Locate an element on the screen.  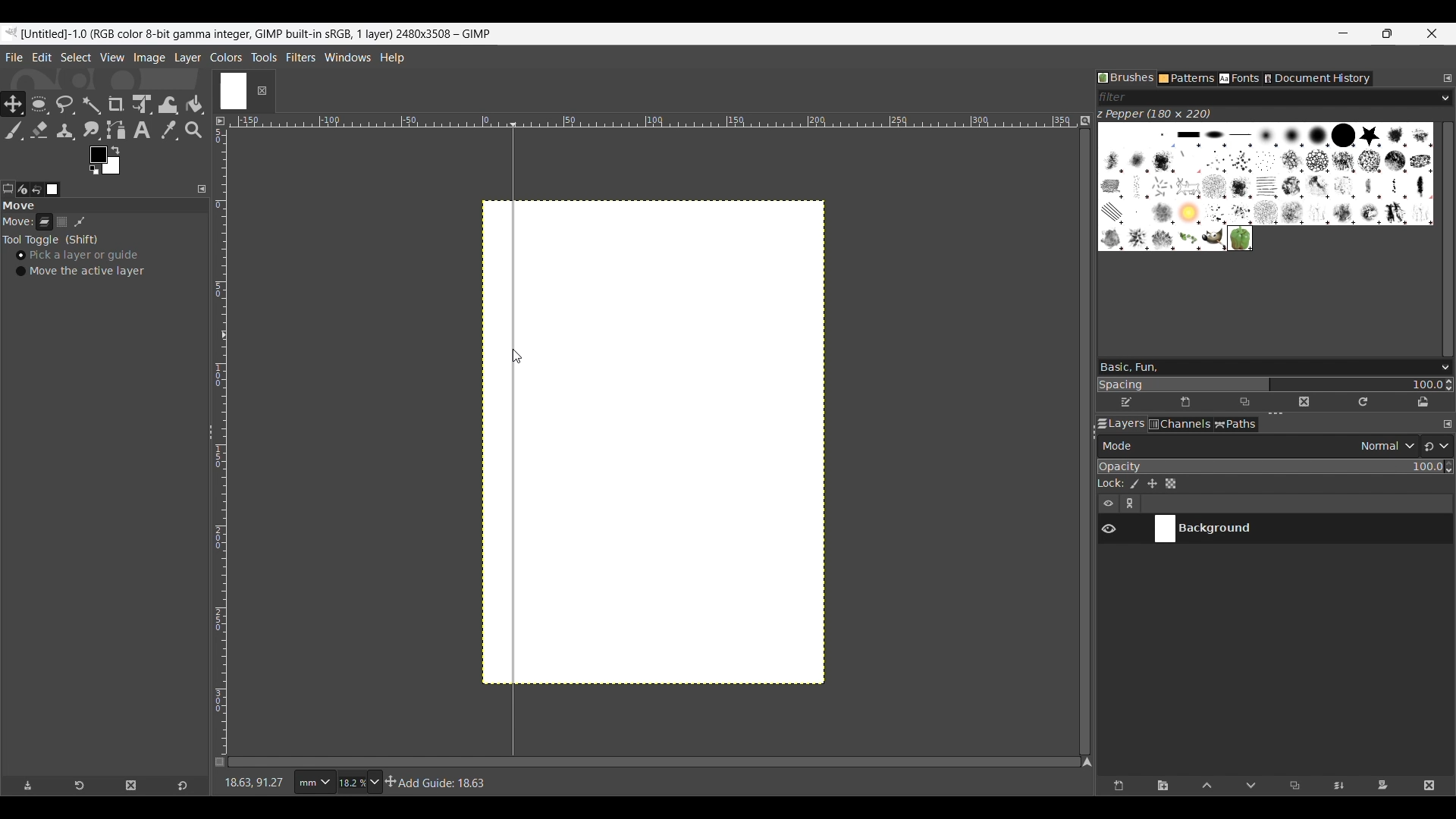
Zoom image when video size changes is located at coordinates (1084, 121).